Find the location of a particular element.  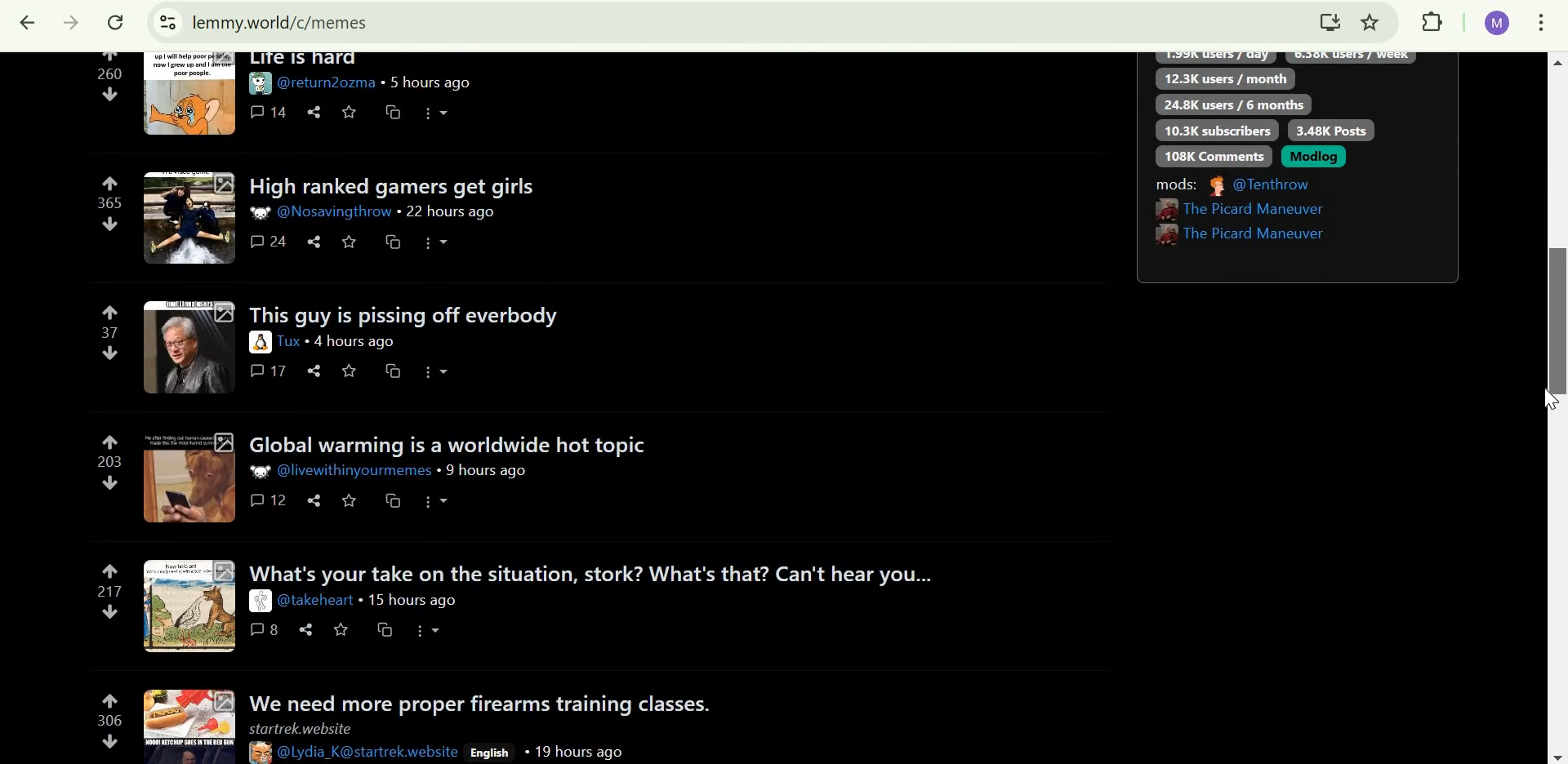

9 hours ago is located at coordinates (487, 471).